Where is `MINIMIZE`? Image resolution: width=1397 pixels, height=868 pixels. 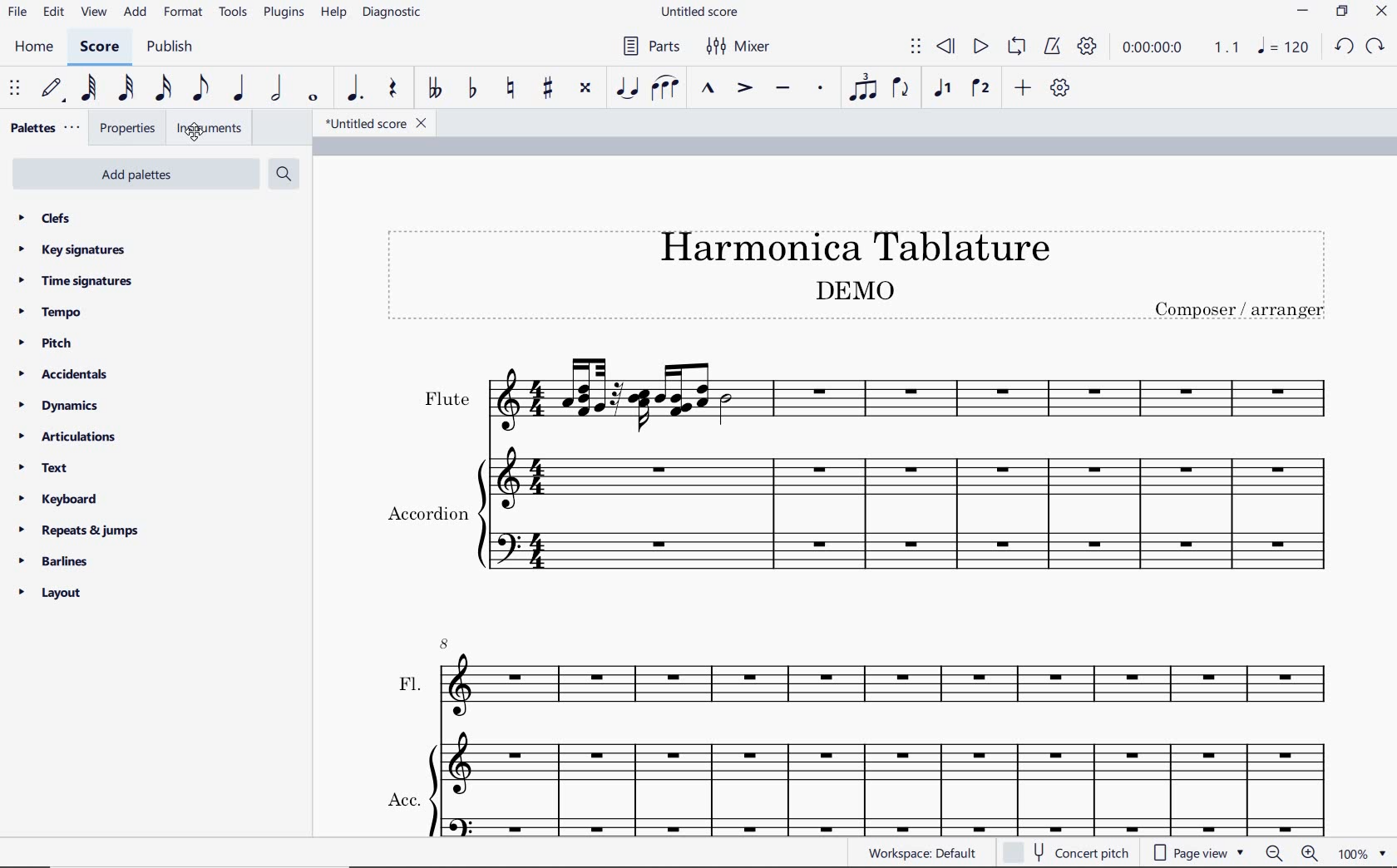
MINIMIZE is located at coordinates (1305, 11).